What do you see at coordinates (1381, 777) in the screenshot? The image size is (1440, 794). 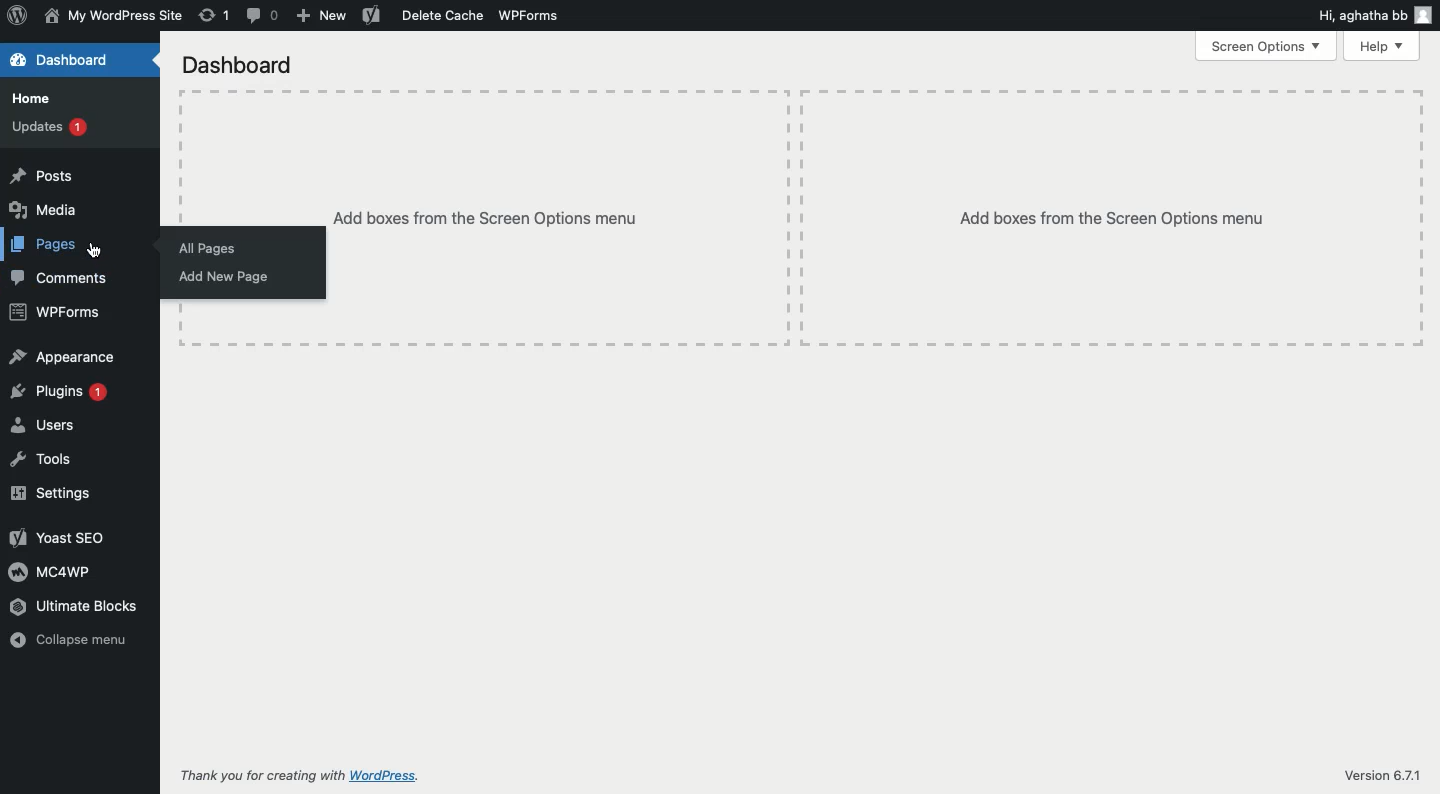 I see `Version 6.7.1` at bounding box center [1381, 777].